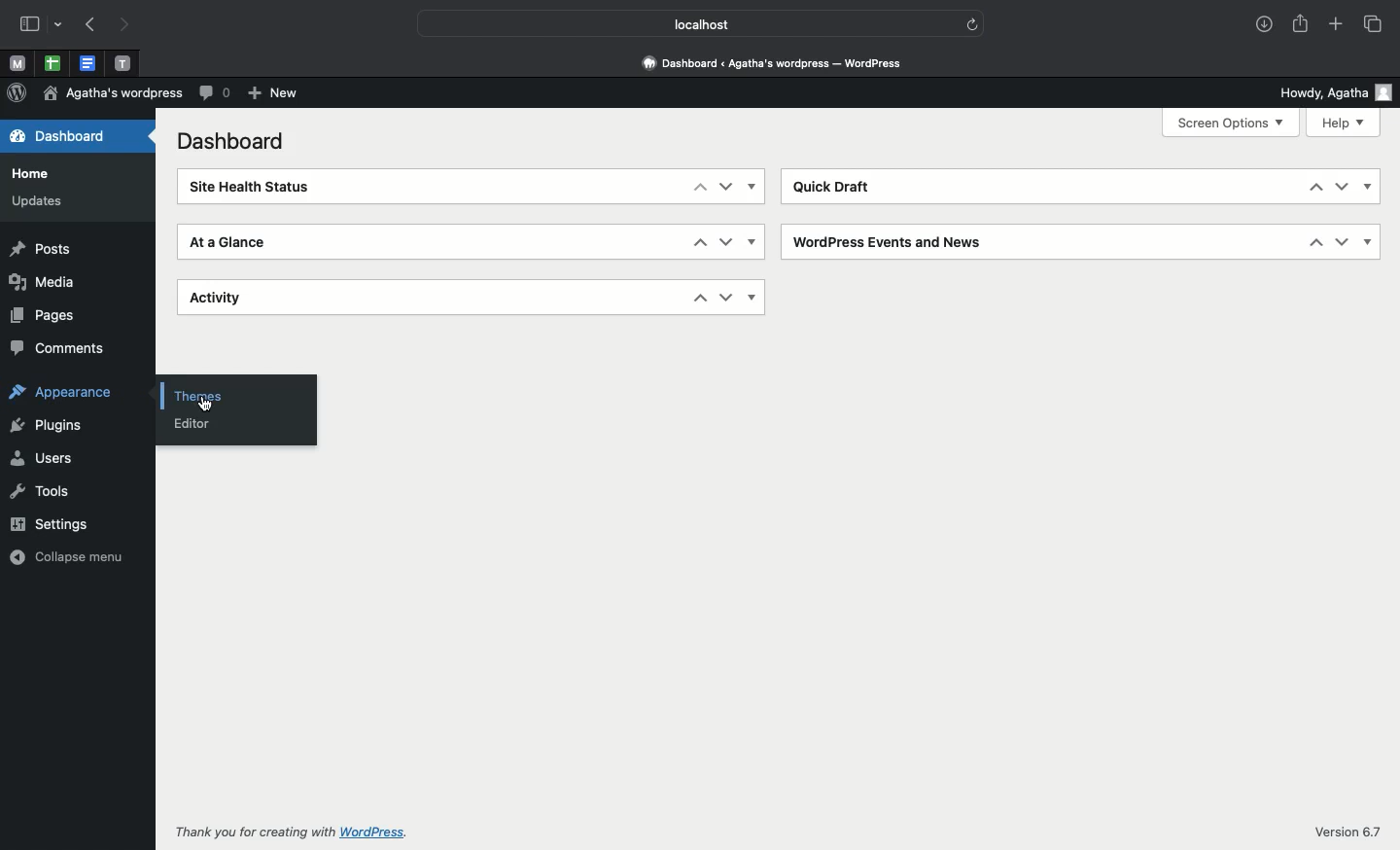 Image resolution: width=1400 pixels, height=850 pixels. Describe the element at coordinates (17, 93) in the screenshot. I see `Wordpress` at that location.